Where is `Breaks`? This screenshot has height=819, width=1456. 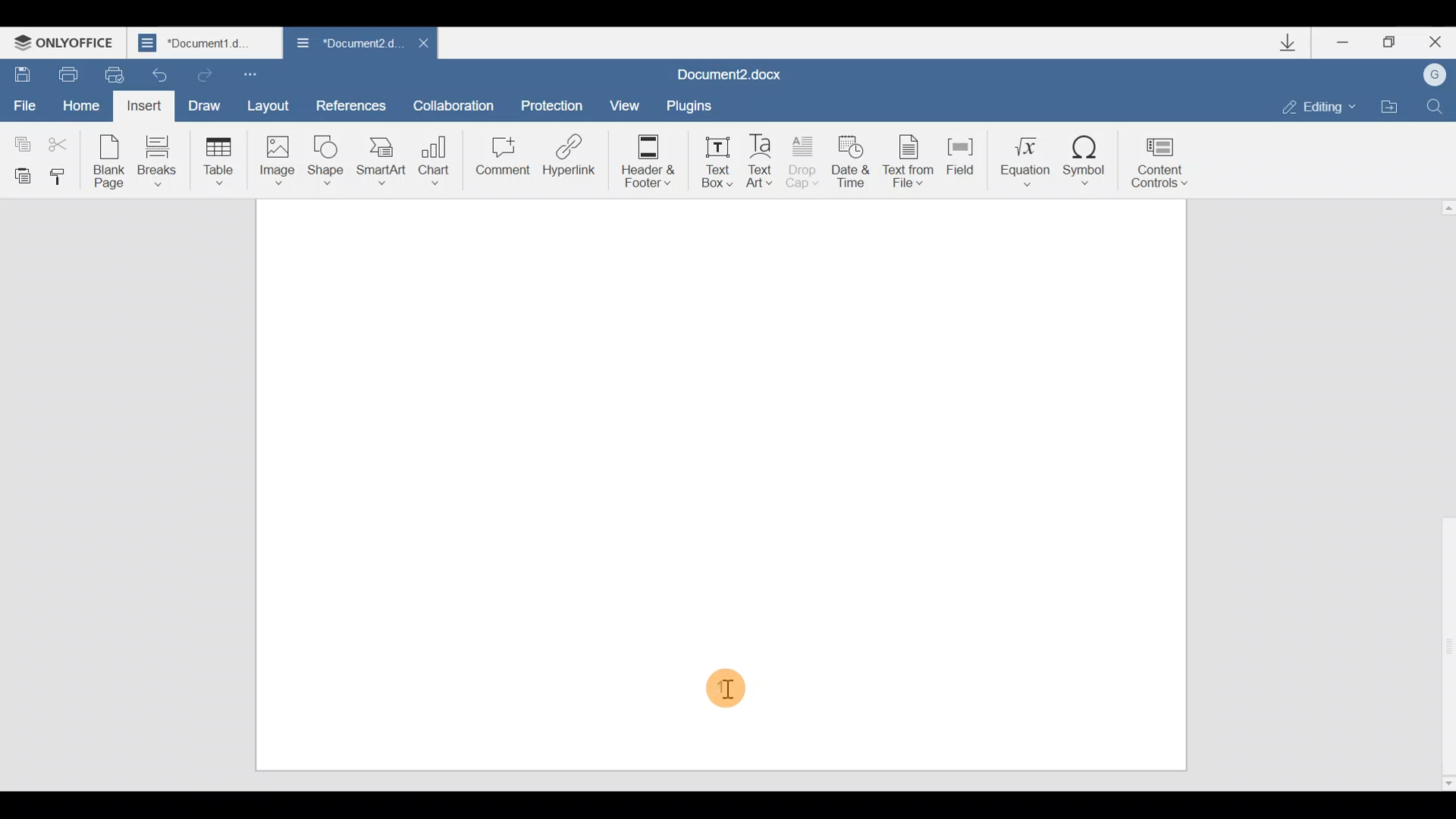 Breaks is located at coordinates (155, 161).